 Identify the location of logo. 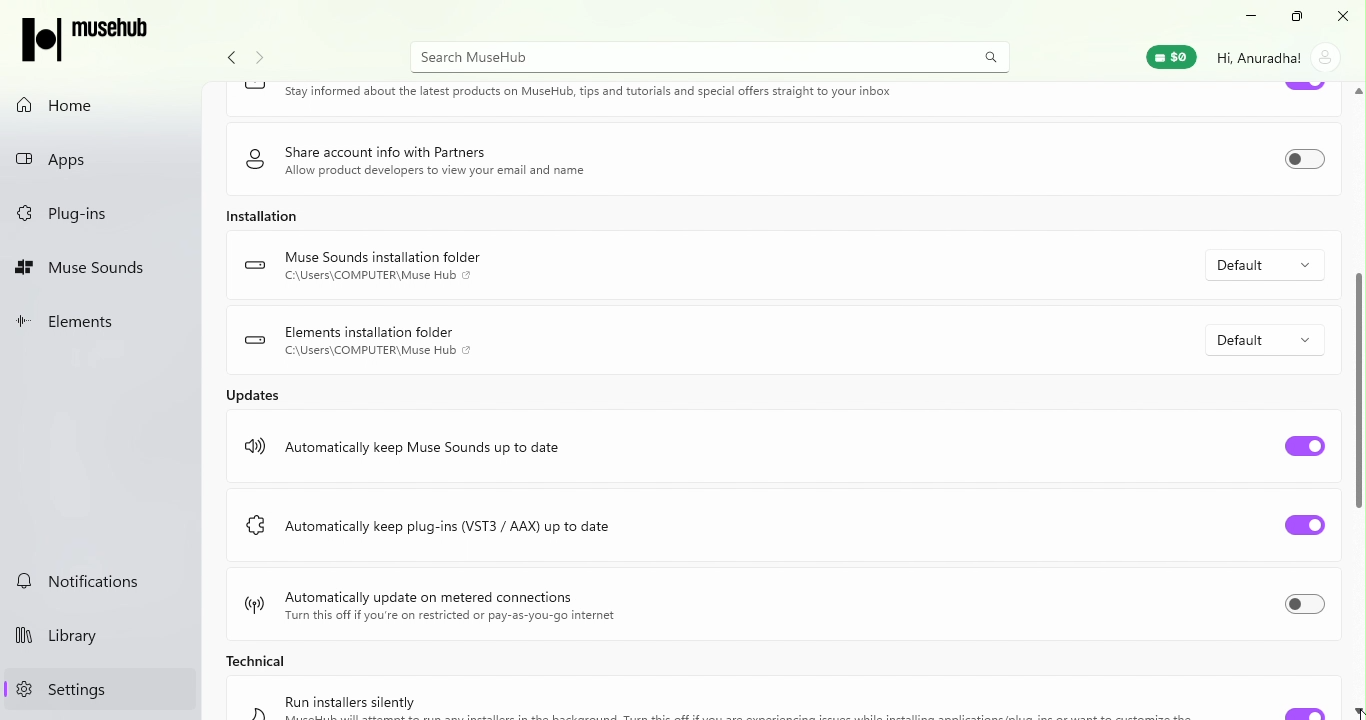
(252, 602).